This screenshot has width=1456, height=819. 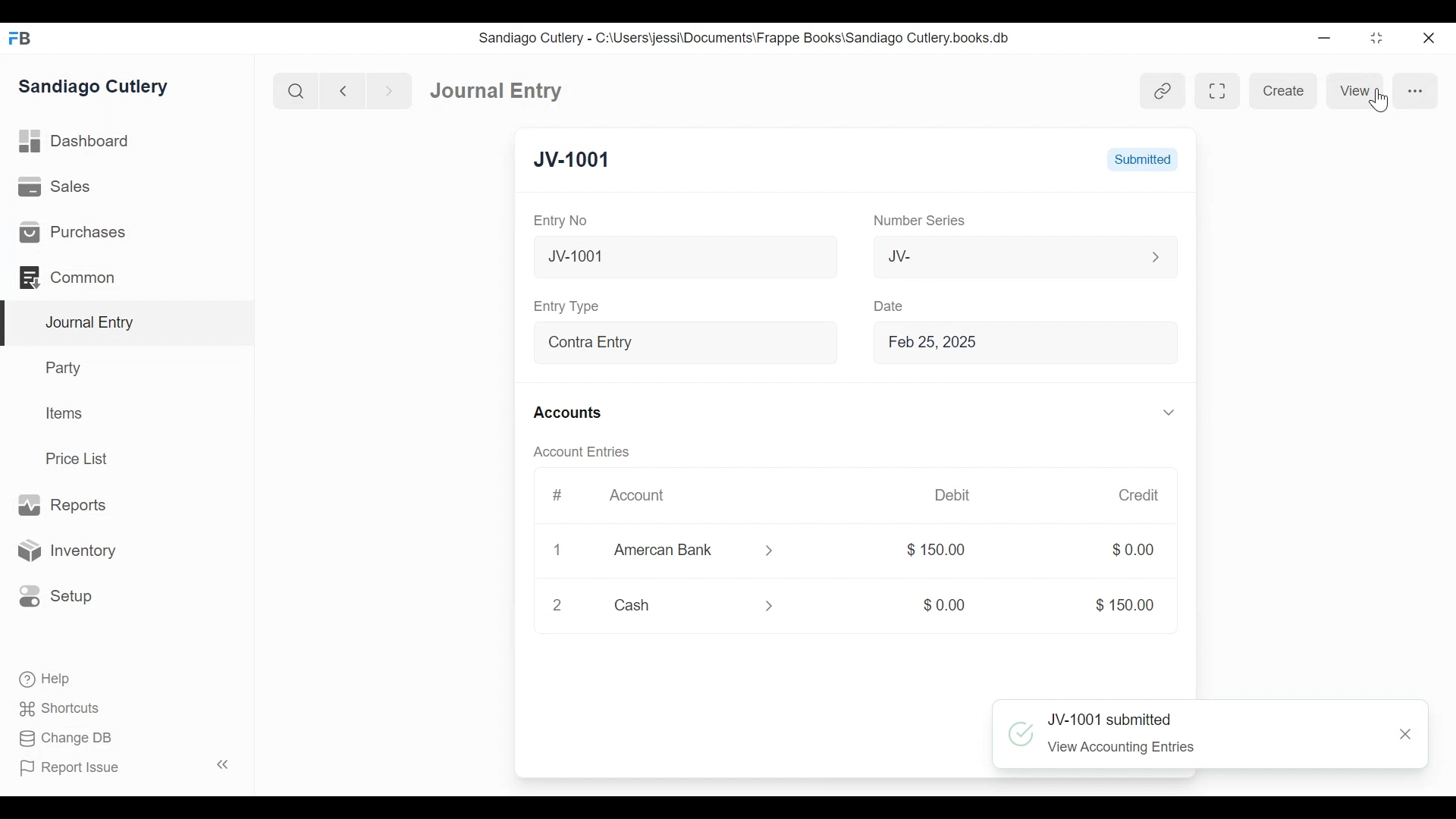 What do you see at coordinates (65, 413) in the screenshot?
I see `Items` at bounding box center [65, 413].